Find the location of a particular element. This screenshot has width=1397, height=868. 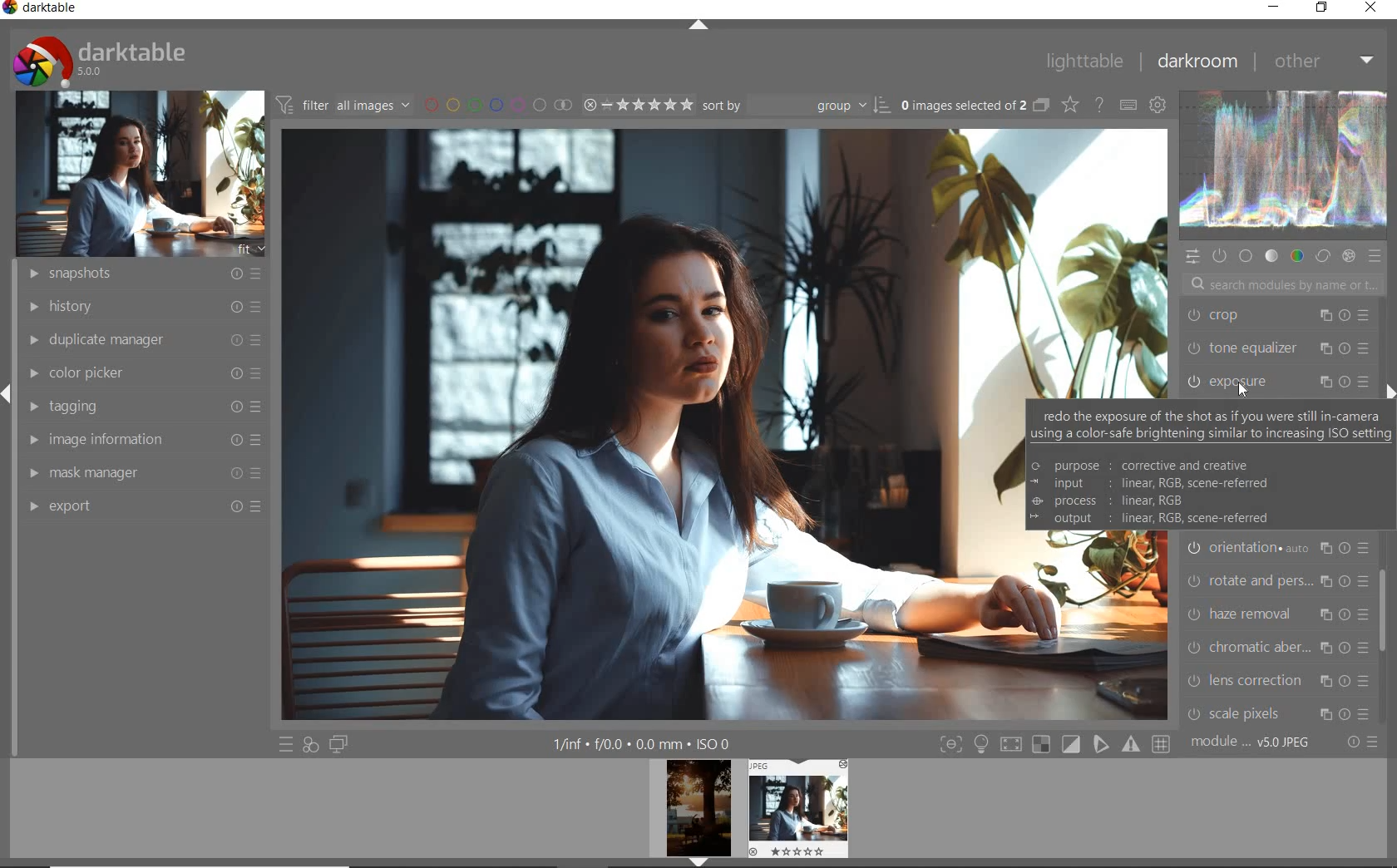

LENS CORRECTION is located at coordinates (1278, 679).